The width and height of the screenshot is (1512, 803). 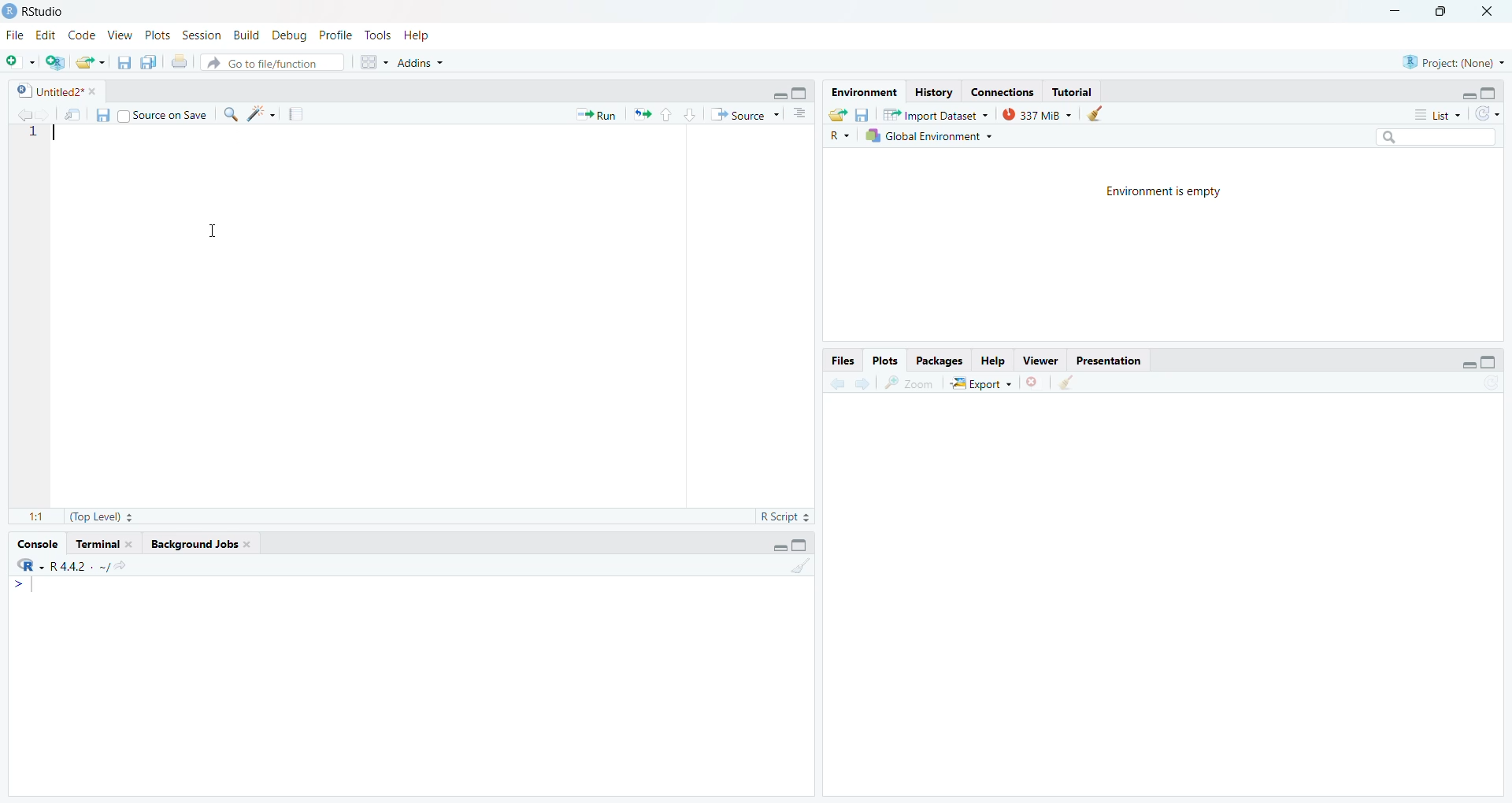 What do you see at coordinates (665, 116) in the screenshot?
I see `go to previous section/chunk` at bounding box center [665, 116].